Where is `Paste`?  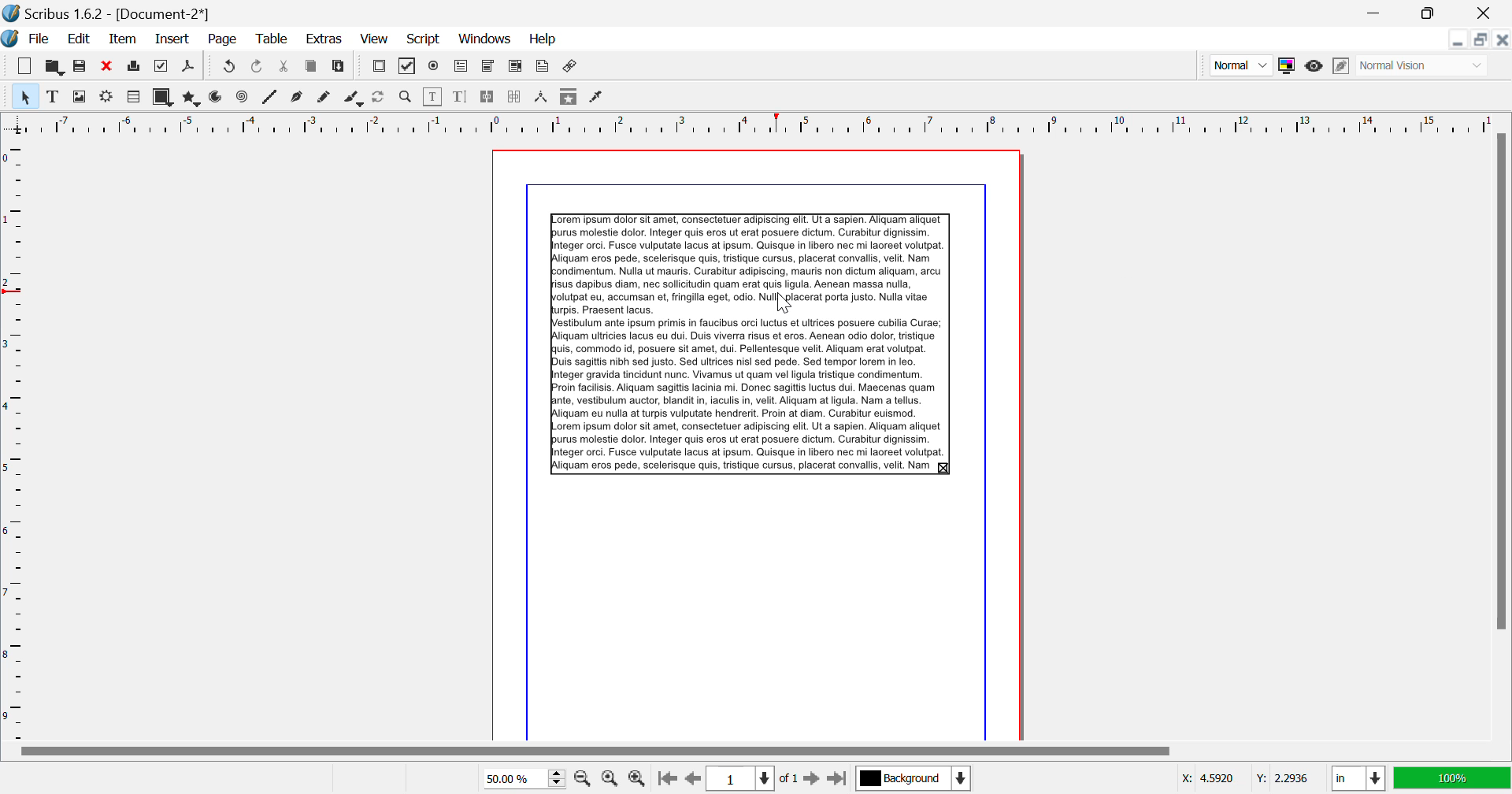 Paste is located at coordinates (340, 69).